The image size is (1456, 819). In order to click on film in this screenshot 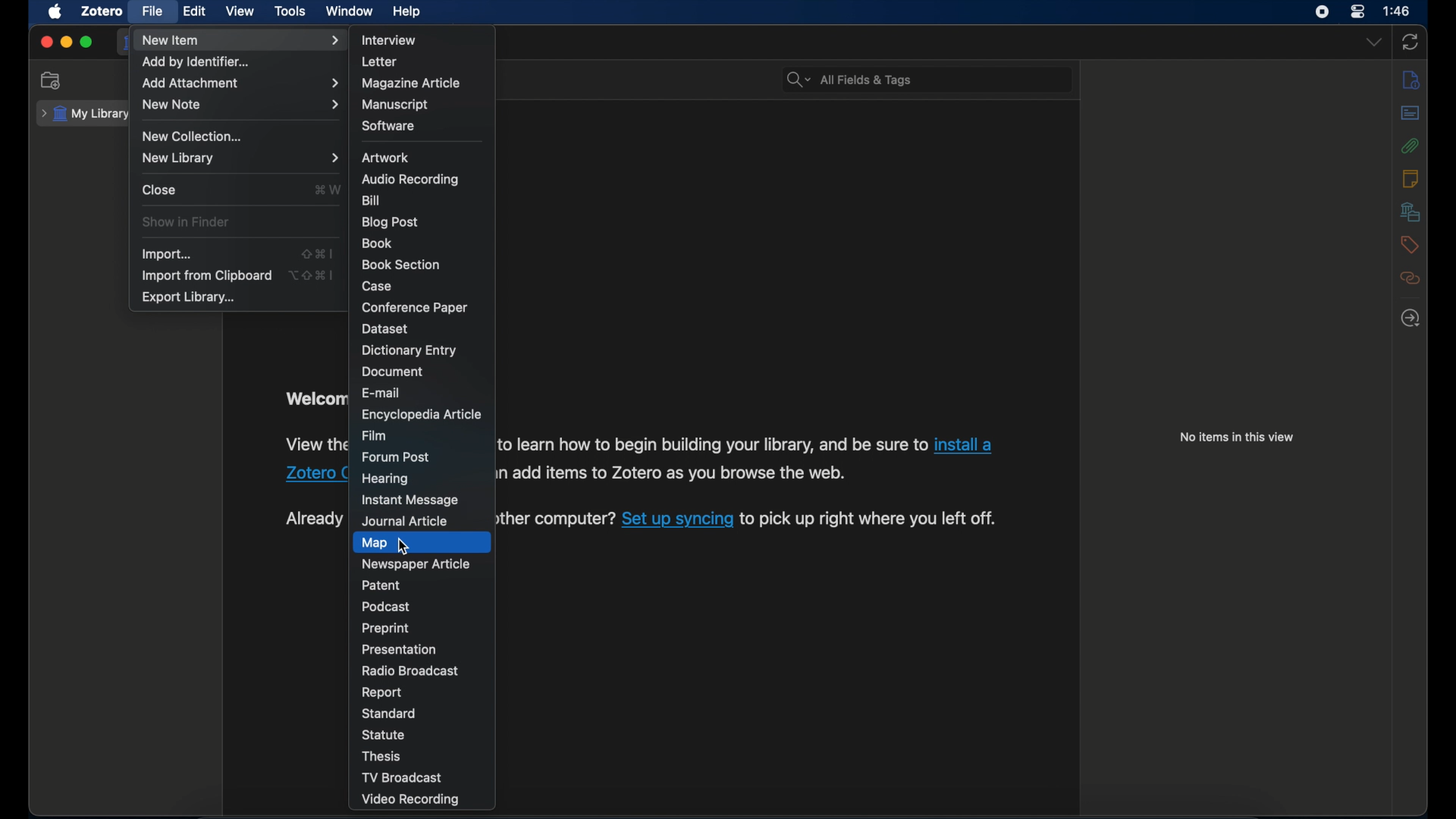, I will do `click(375, 436)`.